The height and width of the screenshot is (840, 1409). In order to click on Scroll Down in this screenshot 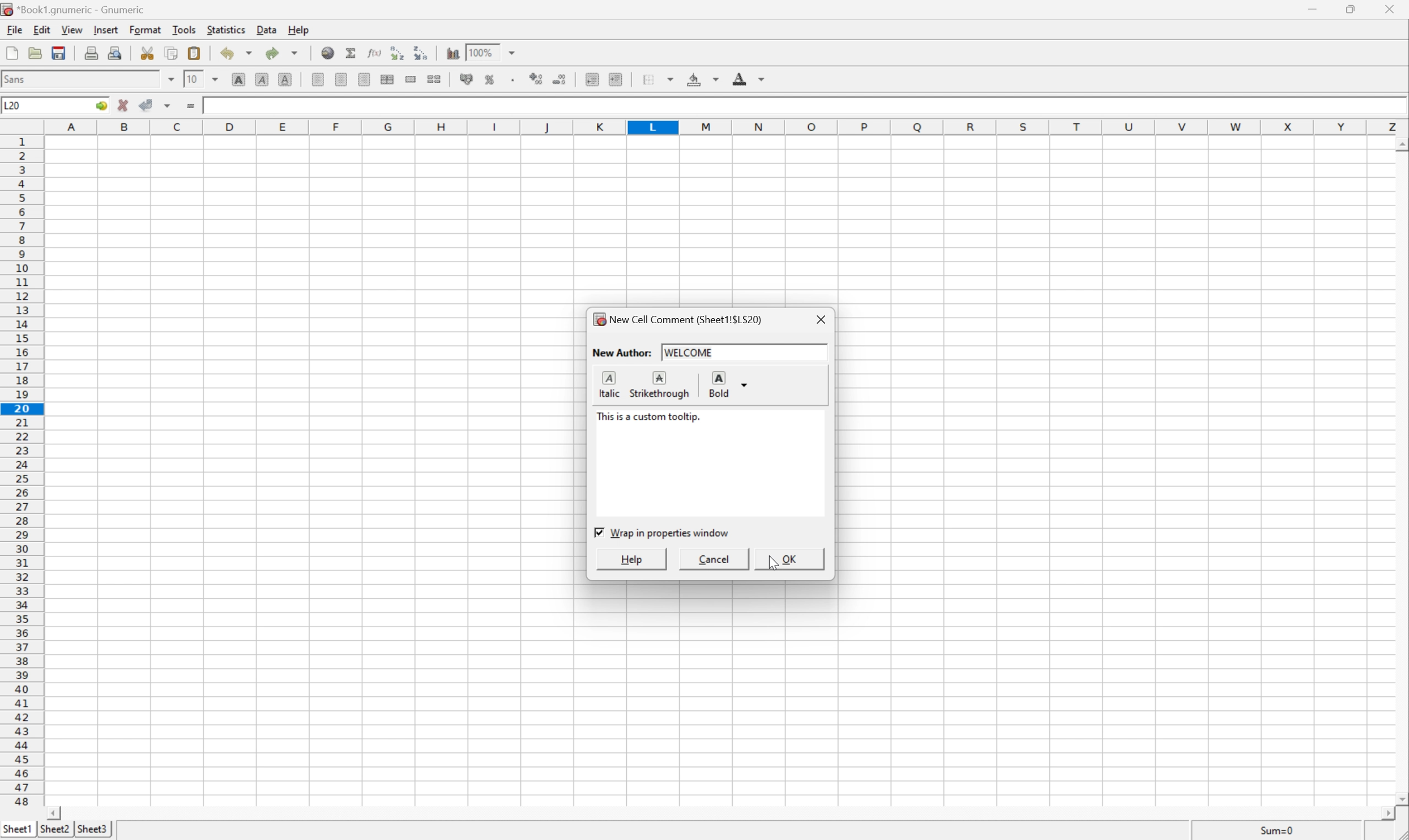, I will do `click(1399, 796)`.